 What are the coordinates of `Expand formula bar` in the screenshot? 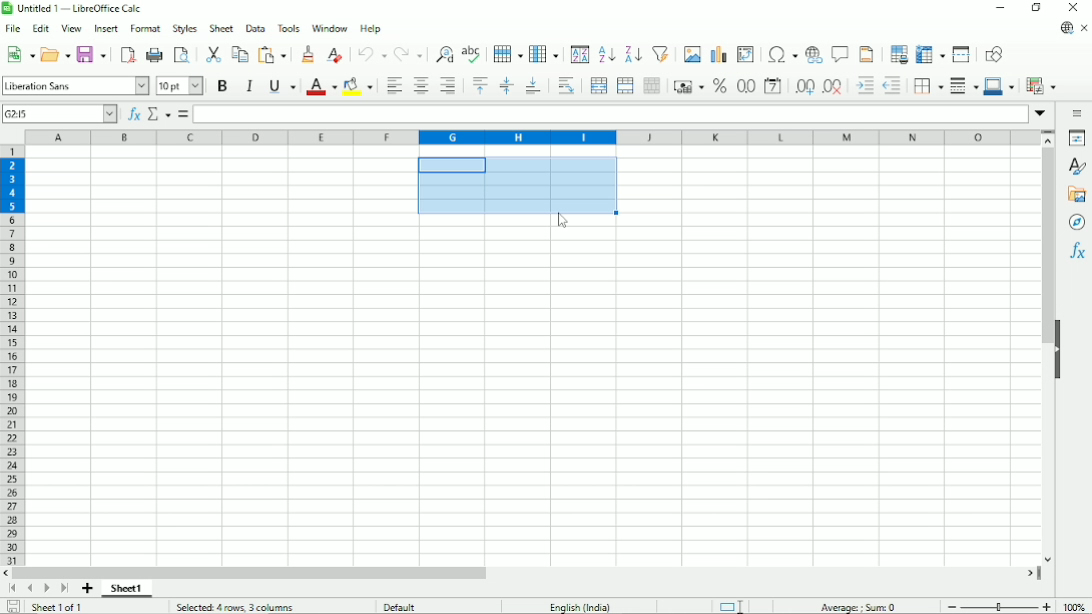 It's located at (1042, 114).